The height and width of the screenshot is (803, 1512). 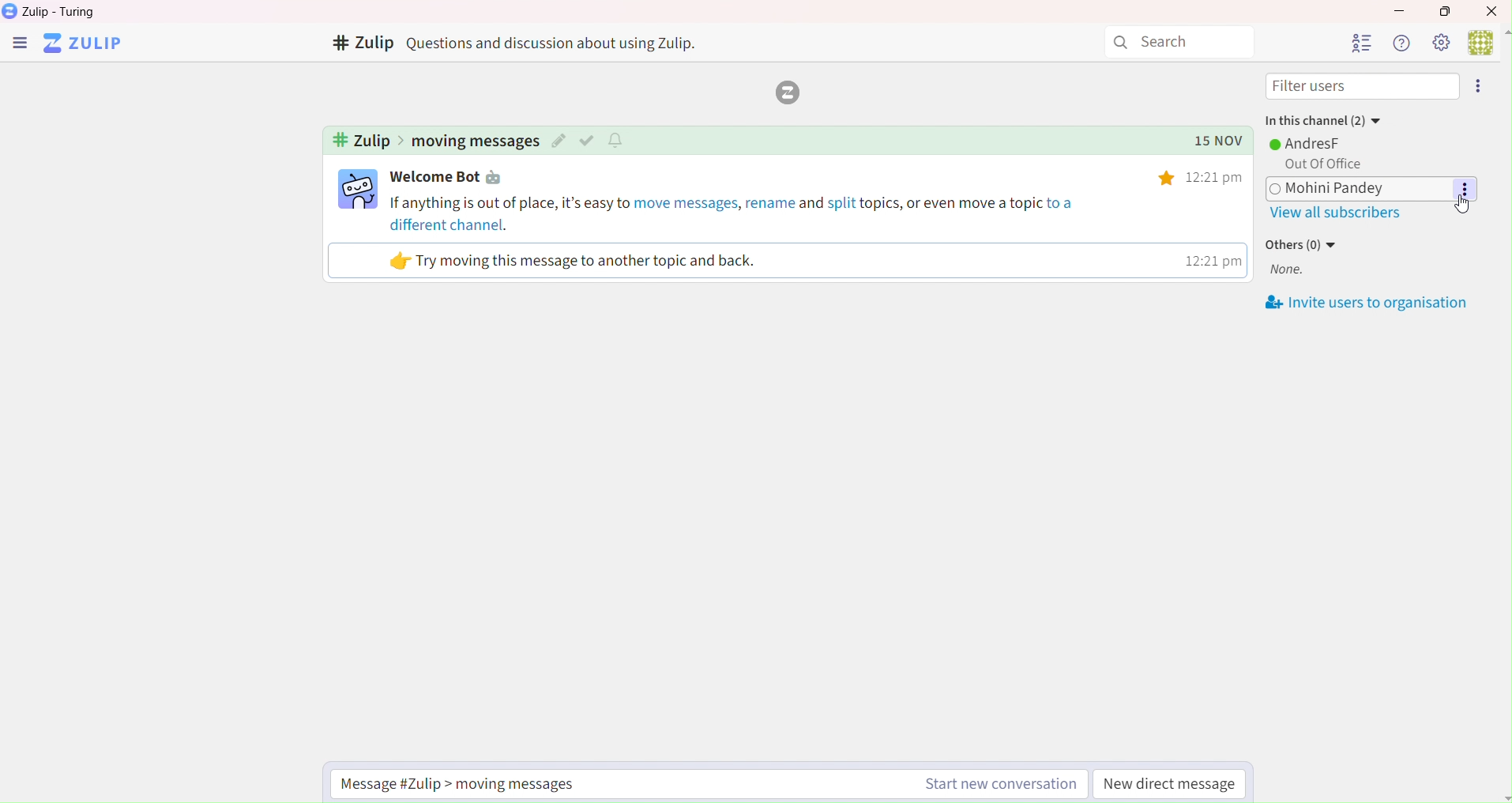 I want to click on Out Of Office, so click(x=1319, y=164).